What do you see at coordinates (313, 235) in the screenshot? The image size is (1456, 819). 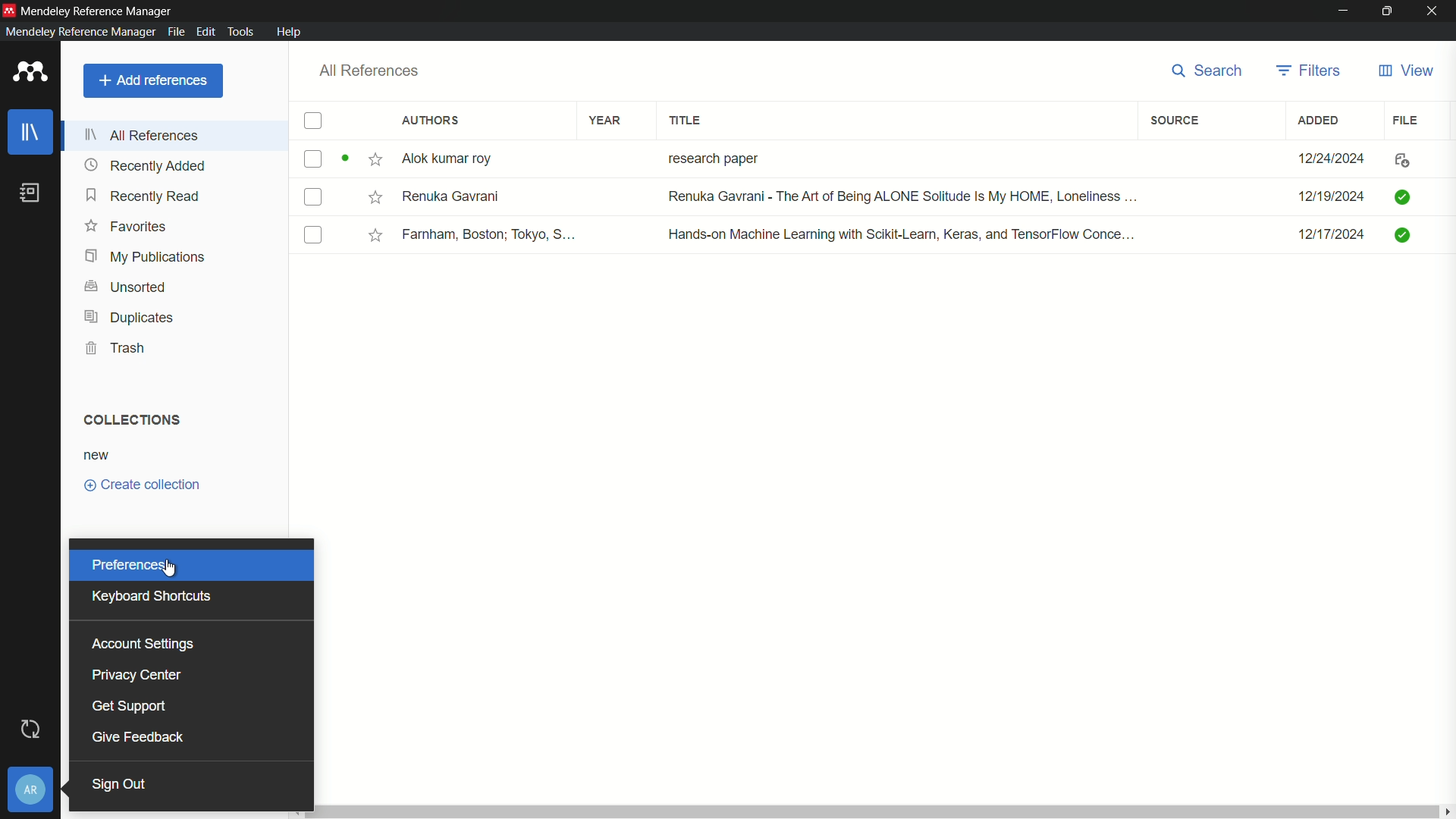 I see `check` at bounding box center [313, 235].